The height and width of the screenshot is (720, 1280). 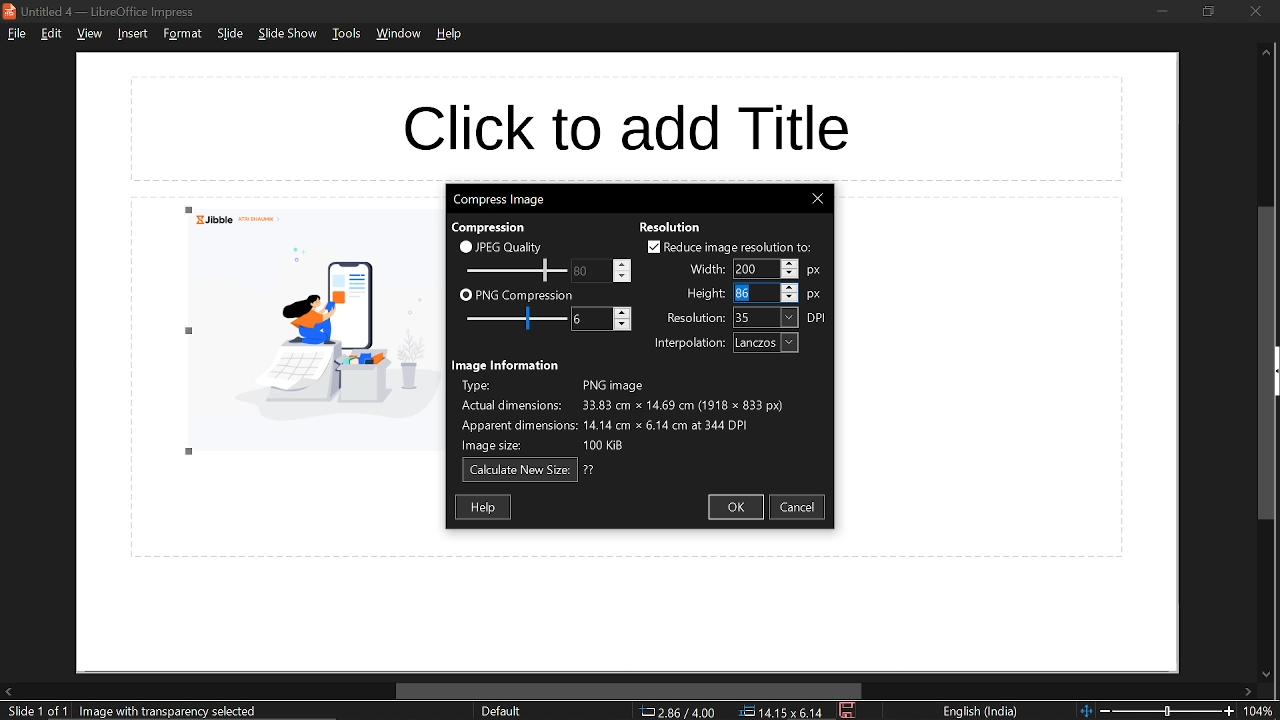 I want to click on resolution, so click(x=691, y=319).